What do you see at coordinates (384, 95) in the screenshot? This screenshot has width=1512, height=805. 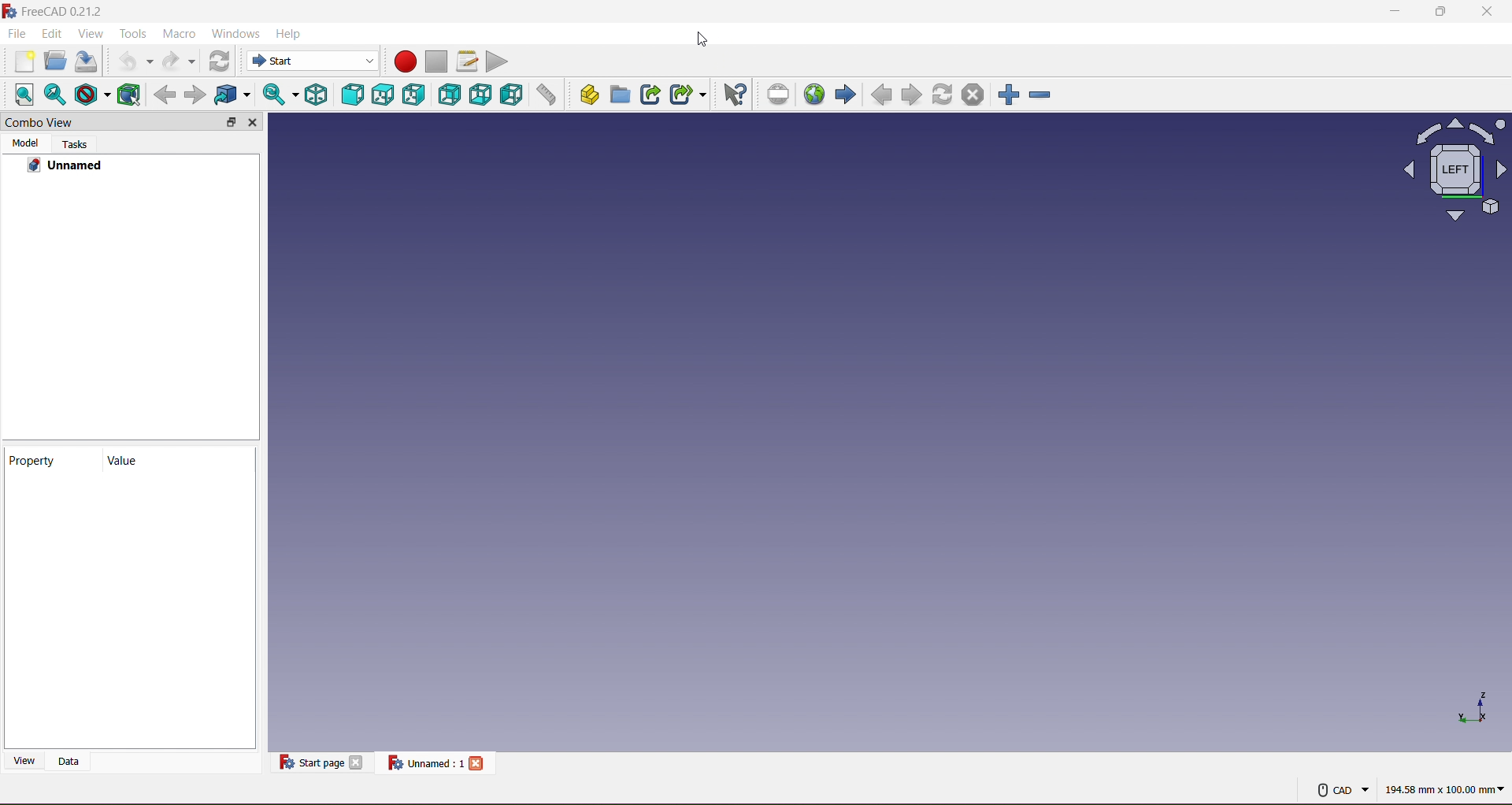 I see `Top` at bounding box center [384, 95].